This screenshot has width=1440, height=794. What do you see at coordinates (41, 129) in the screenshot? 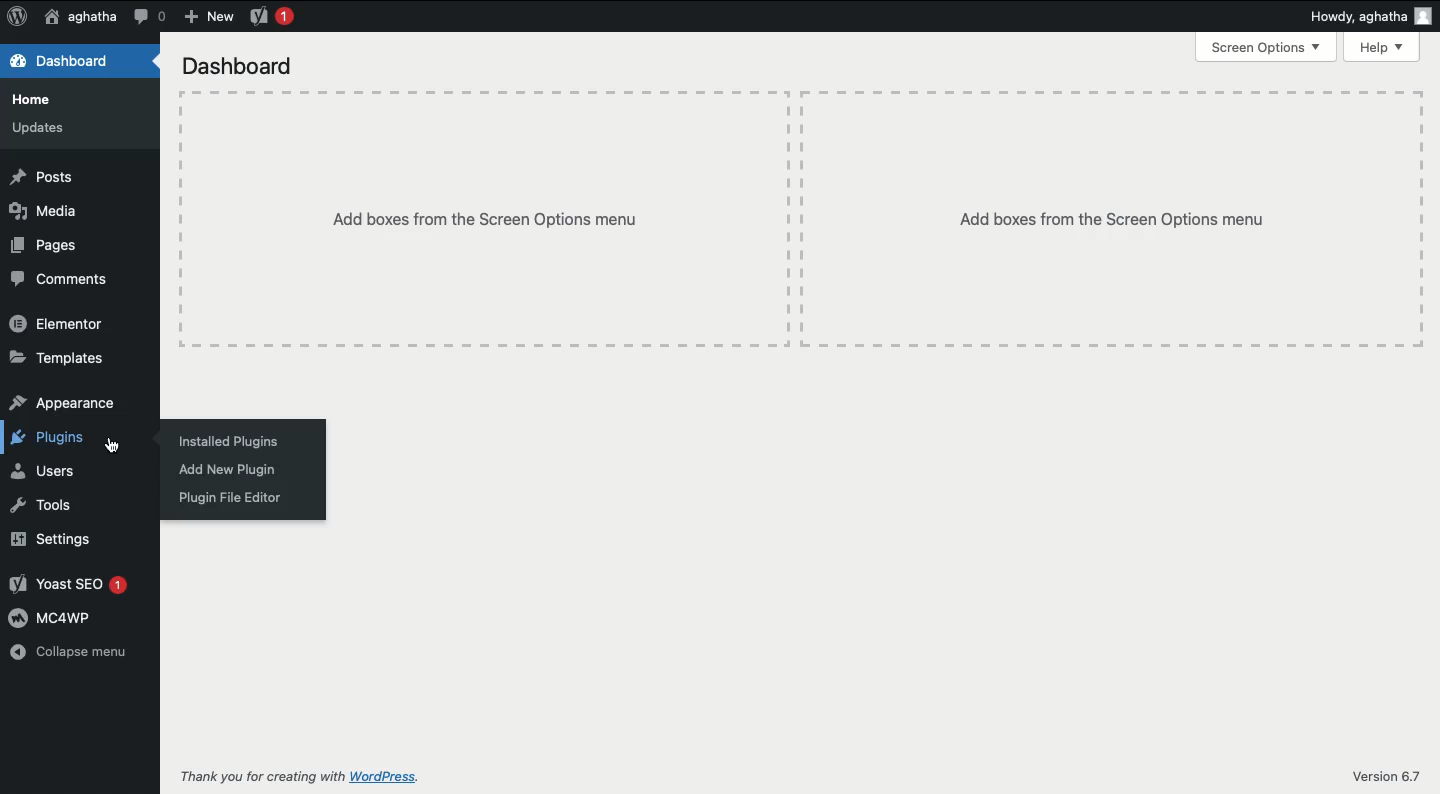
I see `Updates` at bounding box center [41, 129].